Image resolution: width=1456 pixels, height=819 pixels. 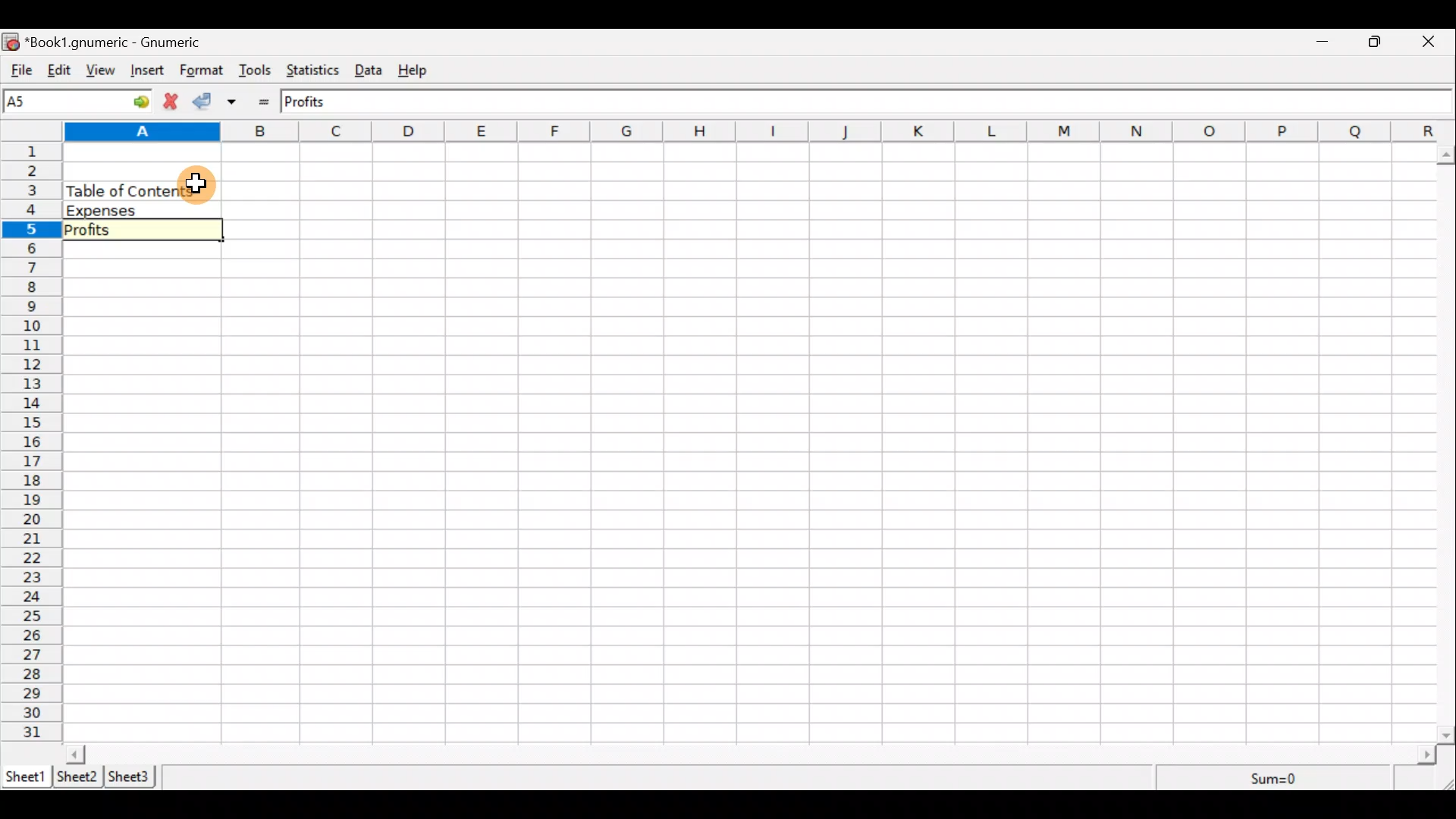 I want to click on scroll right, so click(x=1426, y=755).